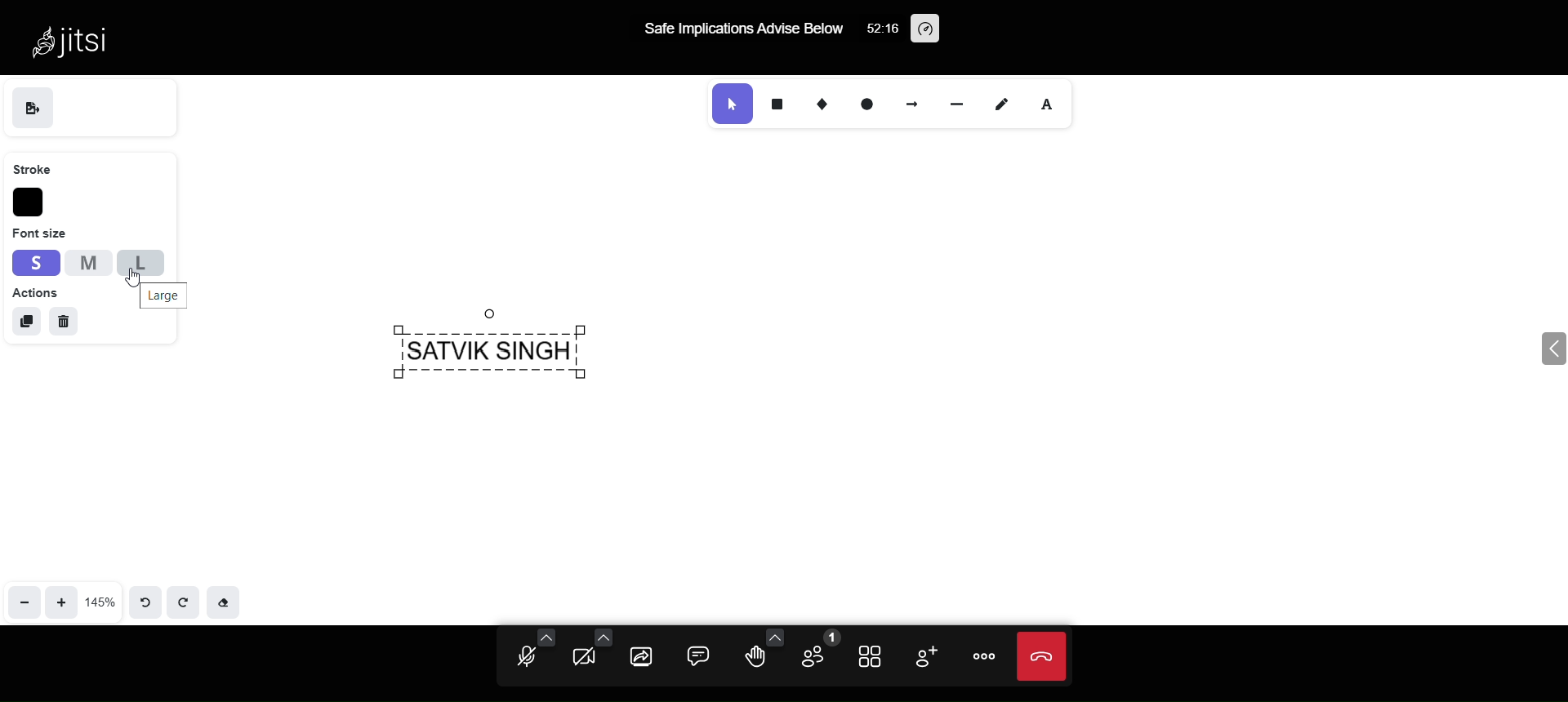 Image resolution: width=1568 pixels, height=702 pixels. I want to click on open chat box, so click(700, 655).